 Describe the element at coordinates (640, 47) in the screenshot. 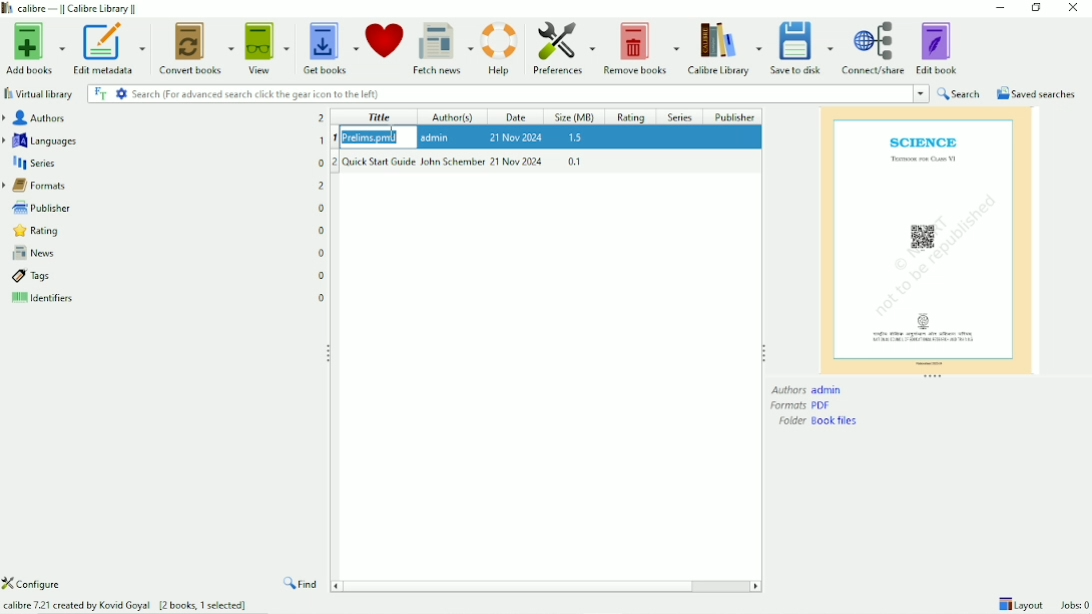

I see `Remove books` at that location.